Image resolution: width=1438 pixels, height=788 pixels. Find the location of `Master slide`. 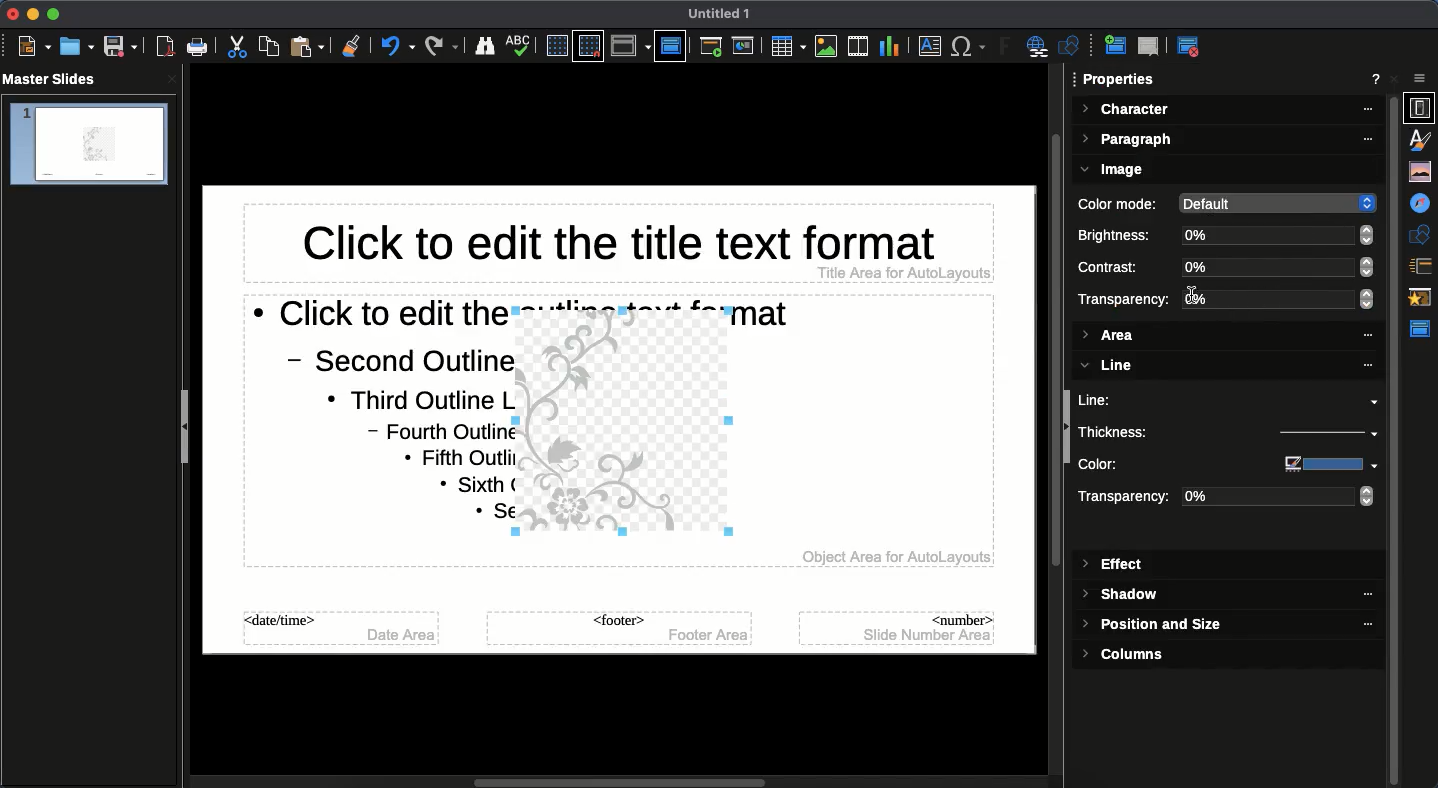

Master slide is located at coordinates (670, 45).